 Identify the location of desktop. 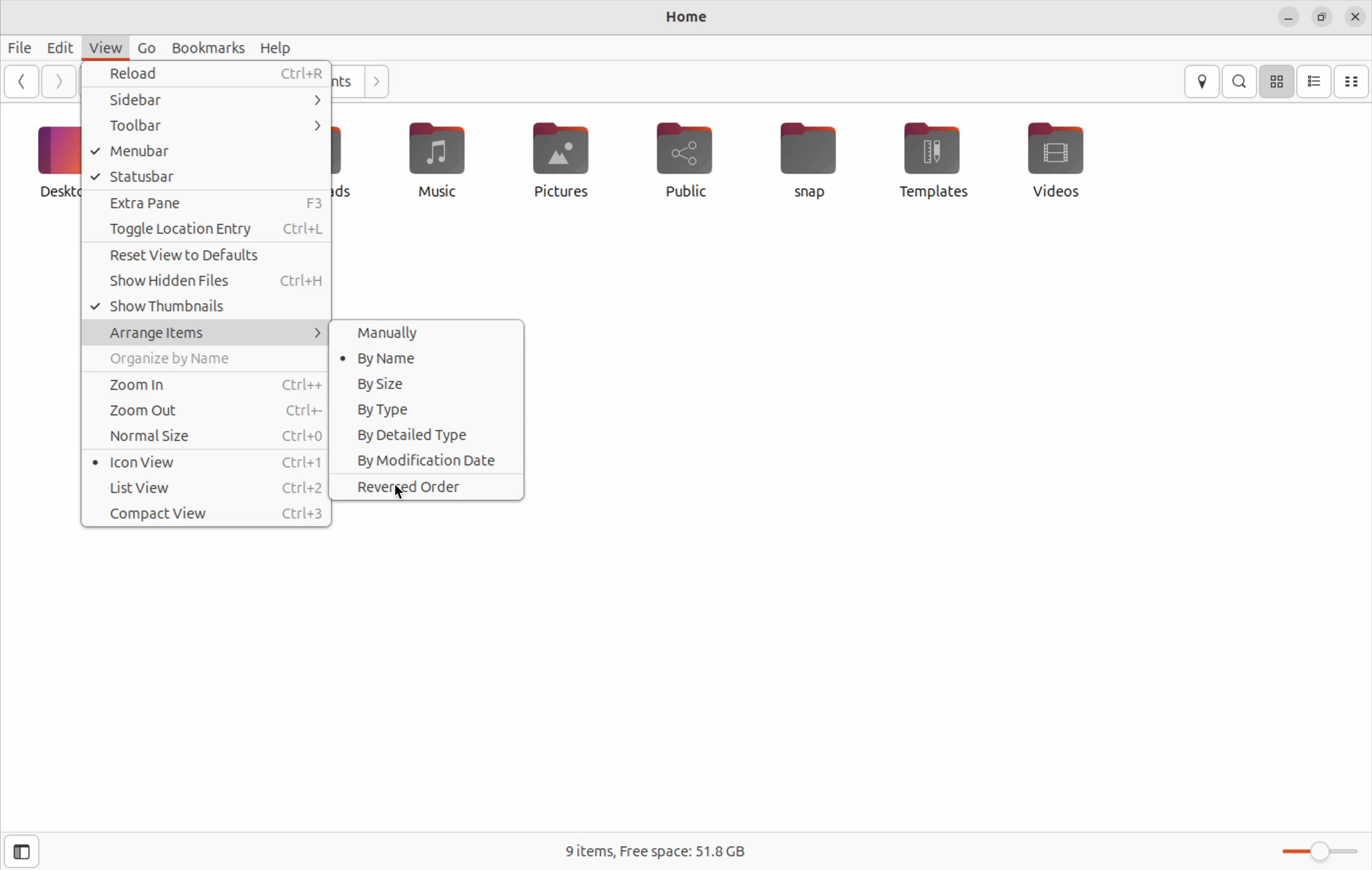
(56, 159).